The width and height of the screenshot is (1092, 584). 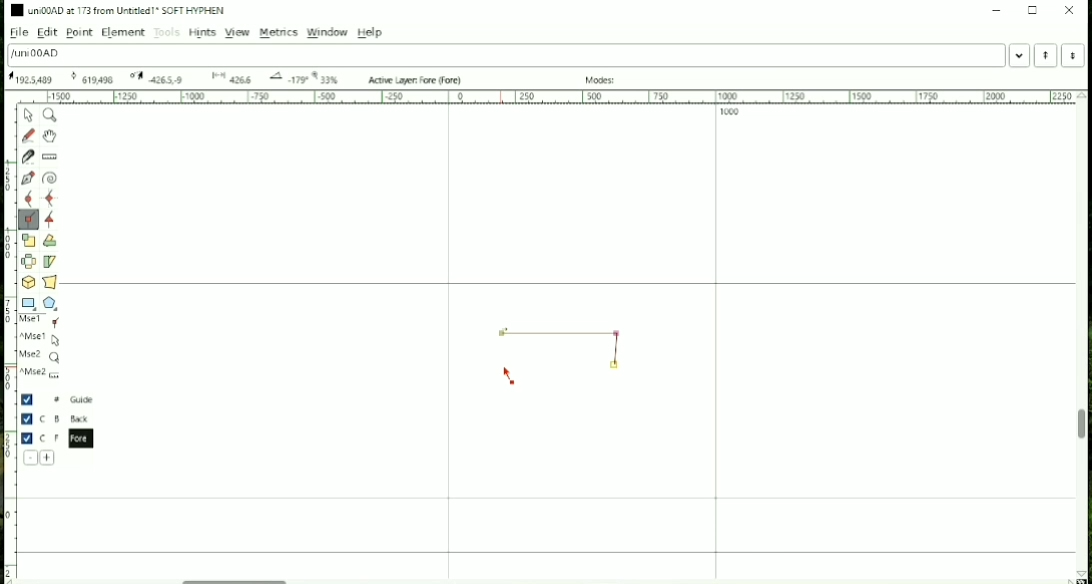 What do you see at coordinates (30, 115) in the screenshot?
I see `Pointer` at bounding box center [30, 115].